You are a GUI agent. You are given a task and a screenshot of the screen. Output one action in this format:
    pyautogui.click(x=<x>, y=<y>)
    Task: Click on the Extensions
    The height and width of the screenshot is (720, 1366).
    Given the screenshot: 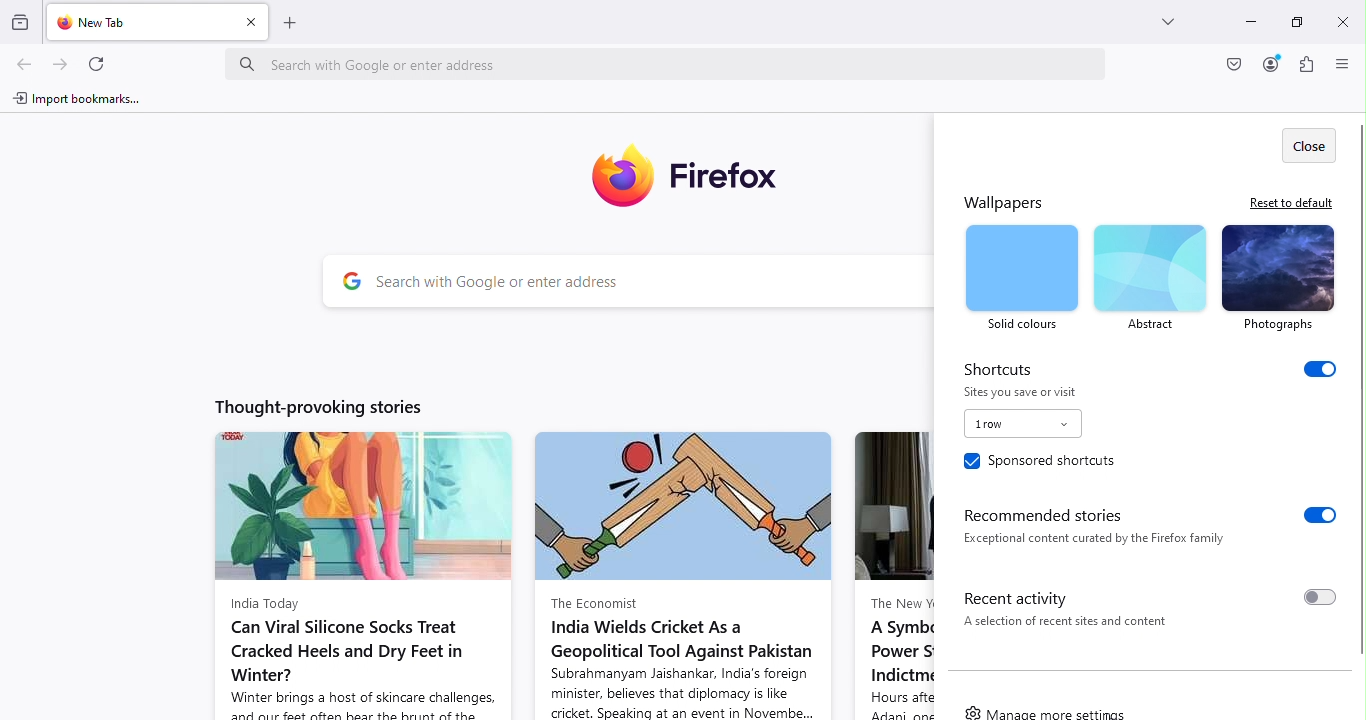 What is the action you would take?
    pyautogui.click(x=1307, y=64)
    